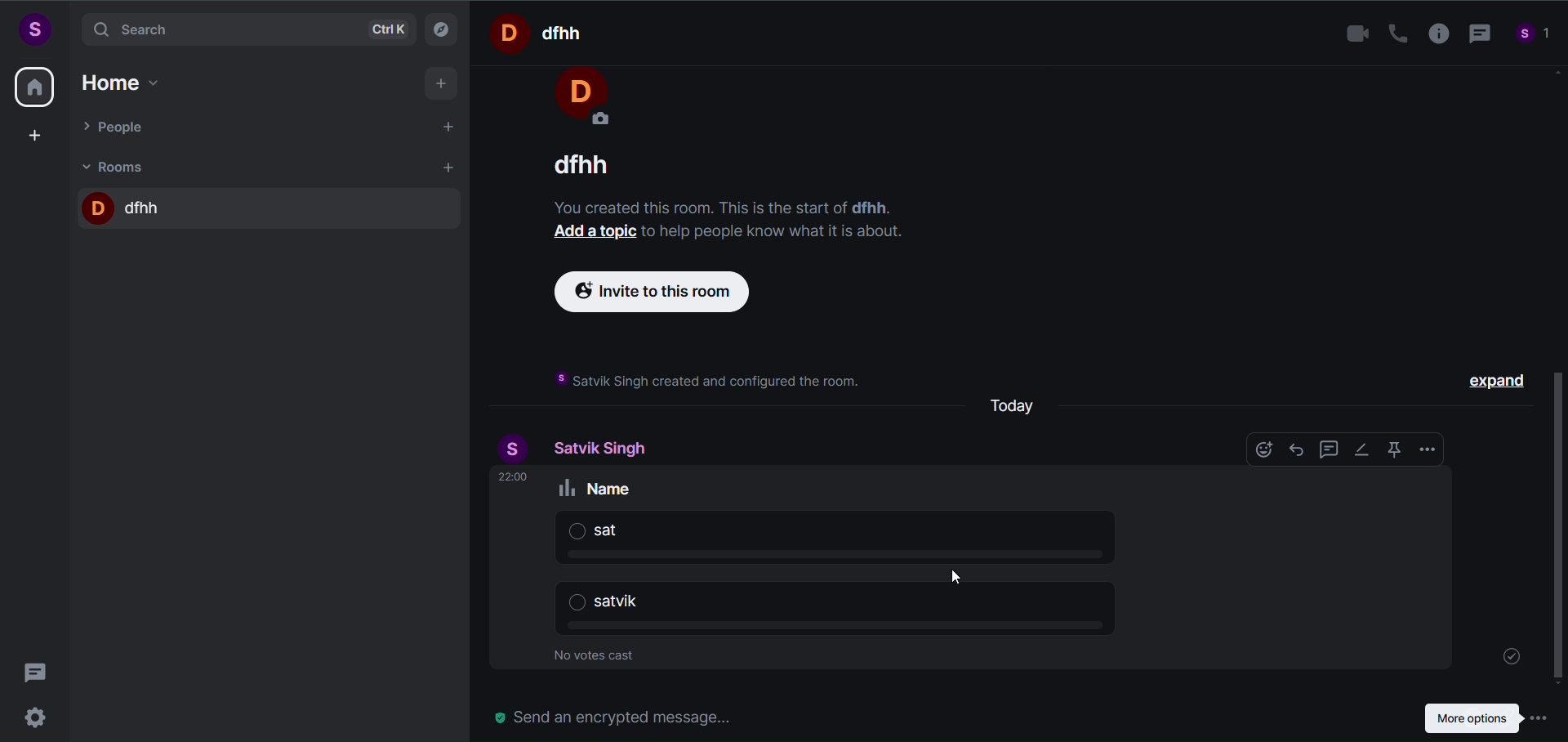  I want to click on edit, so click(1361, 449).